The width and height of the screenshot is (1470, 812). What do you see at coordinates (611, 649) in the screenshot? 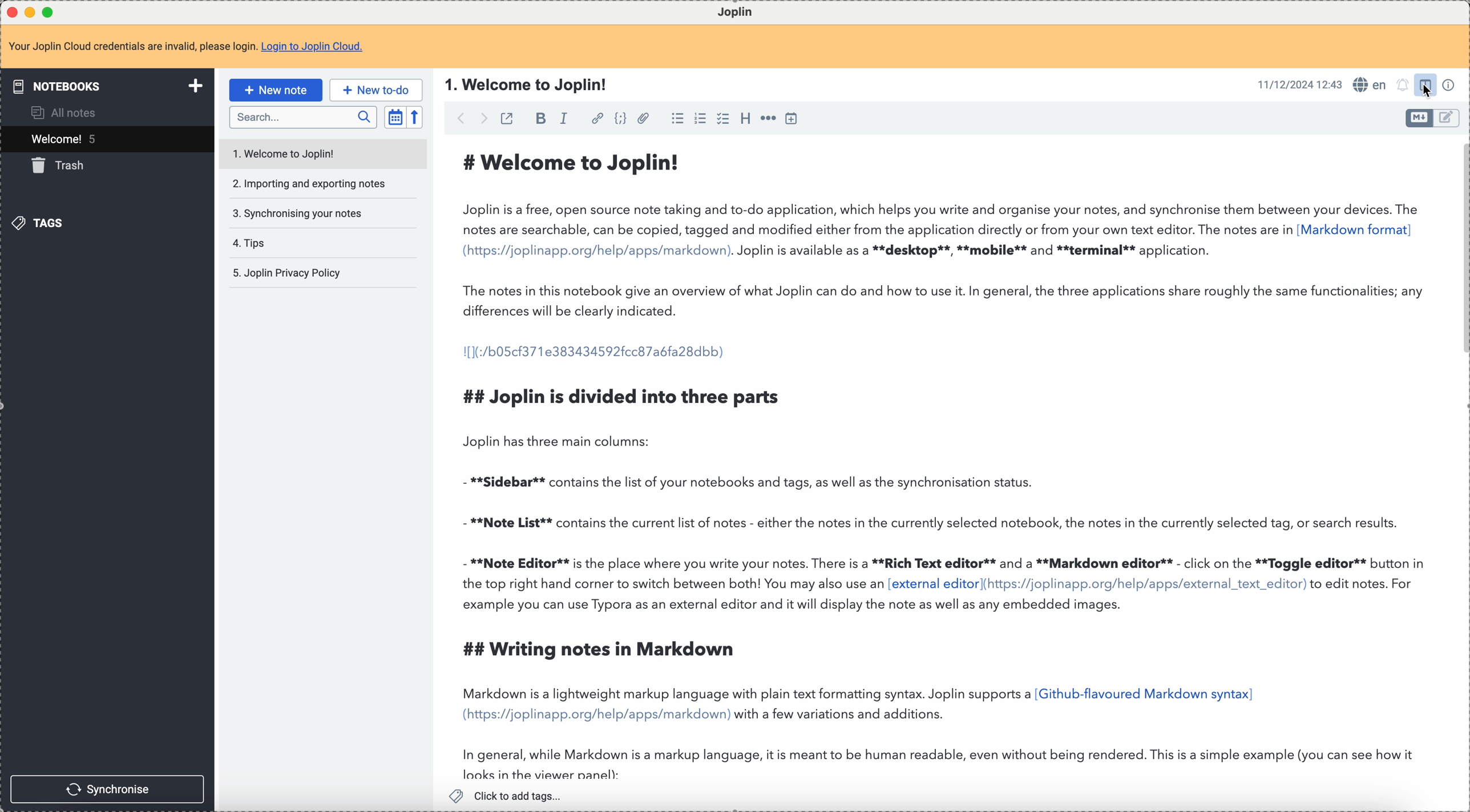
I see `## Writing notes in Markdown` at bounding box center [611, 649].